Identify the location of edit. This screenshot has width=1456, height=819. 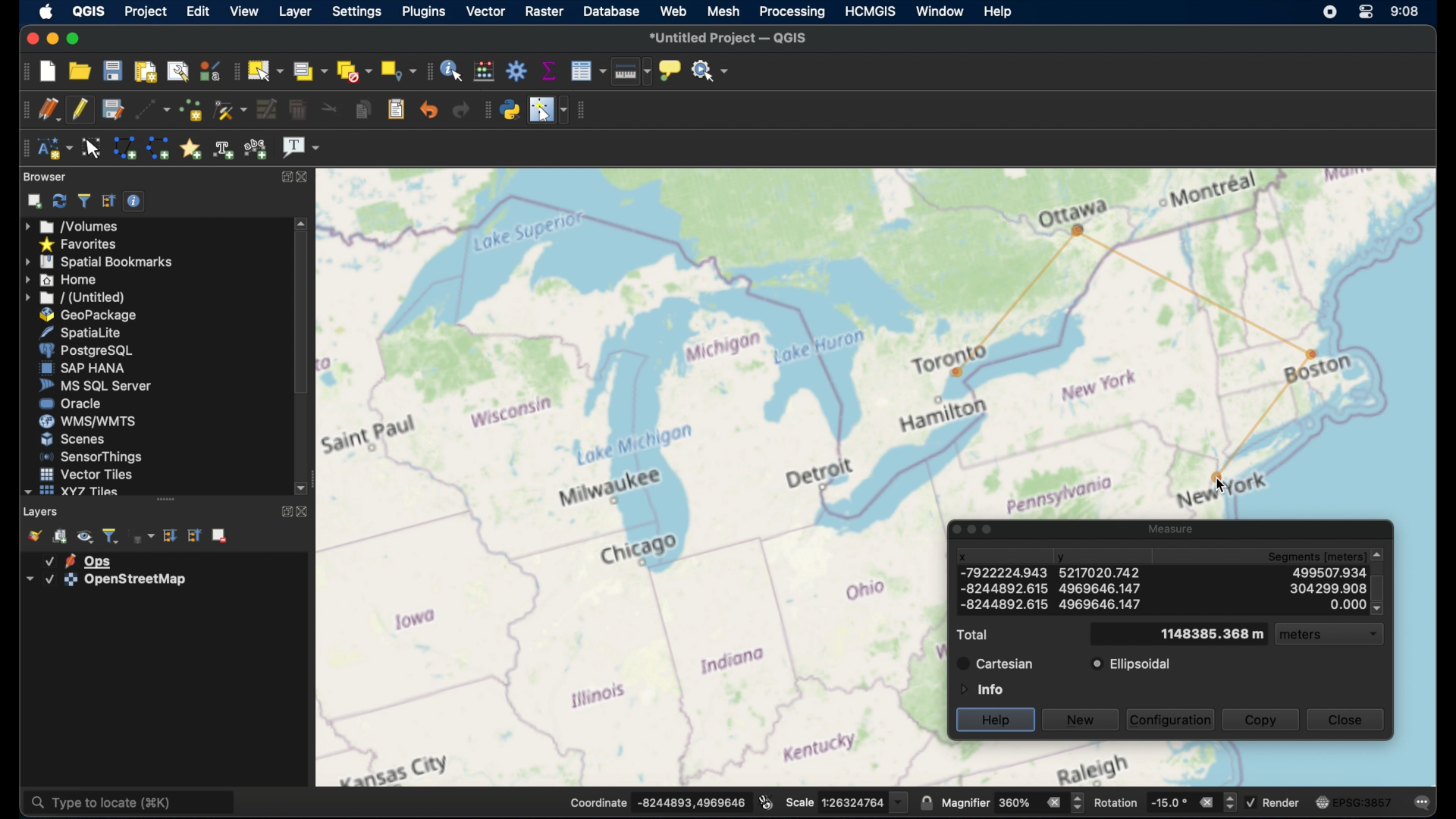
(197, 11).